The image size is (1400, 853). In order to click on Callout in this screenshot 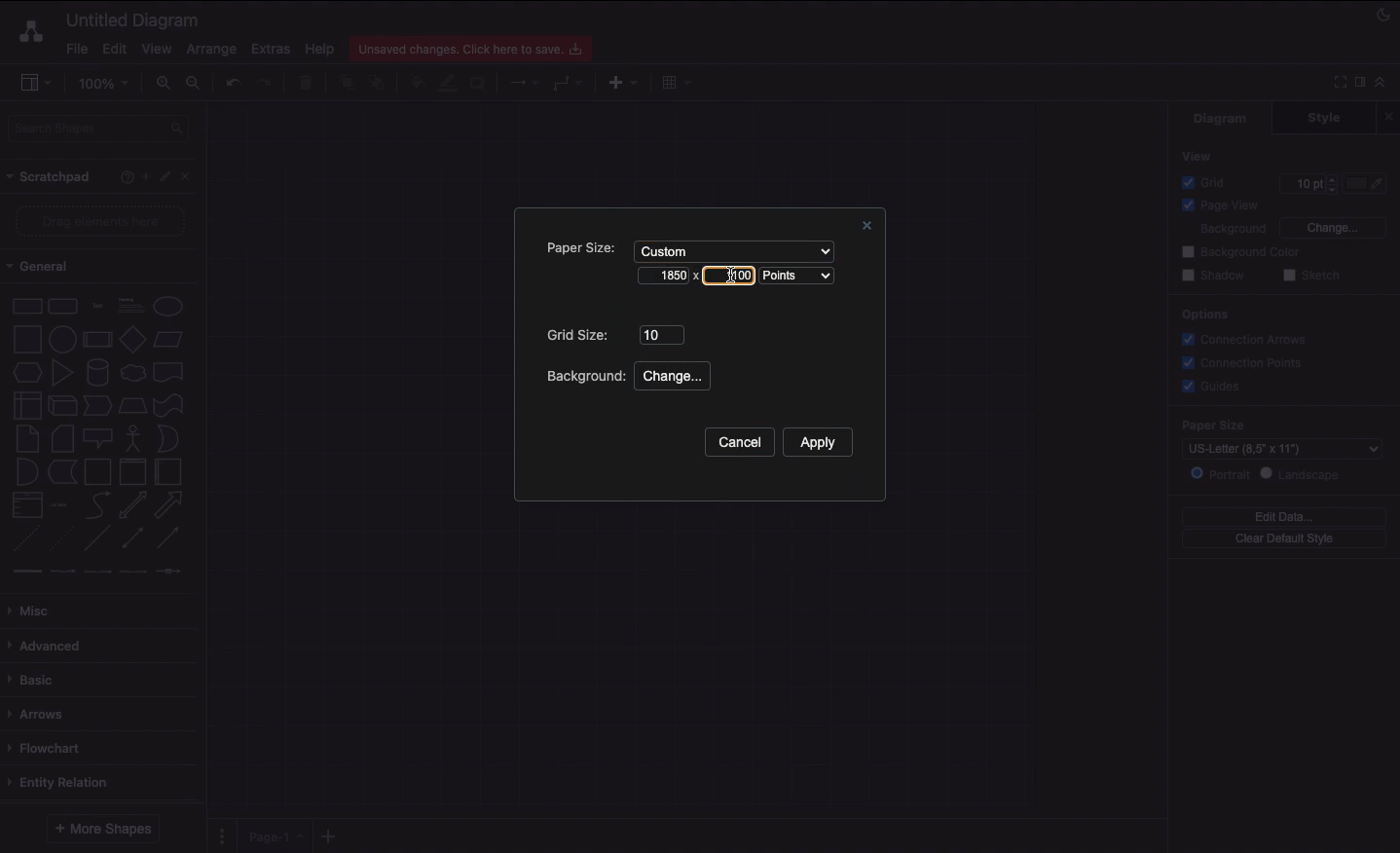, I will do `click(99, 438)`.